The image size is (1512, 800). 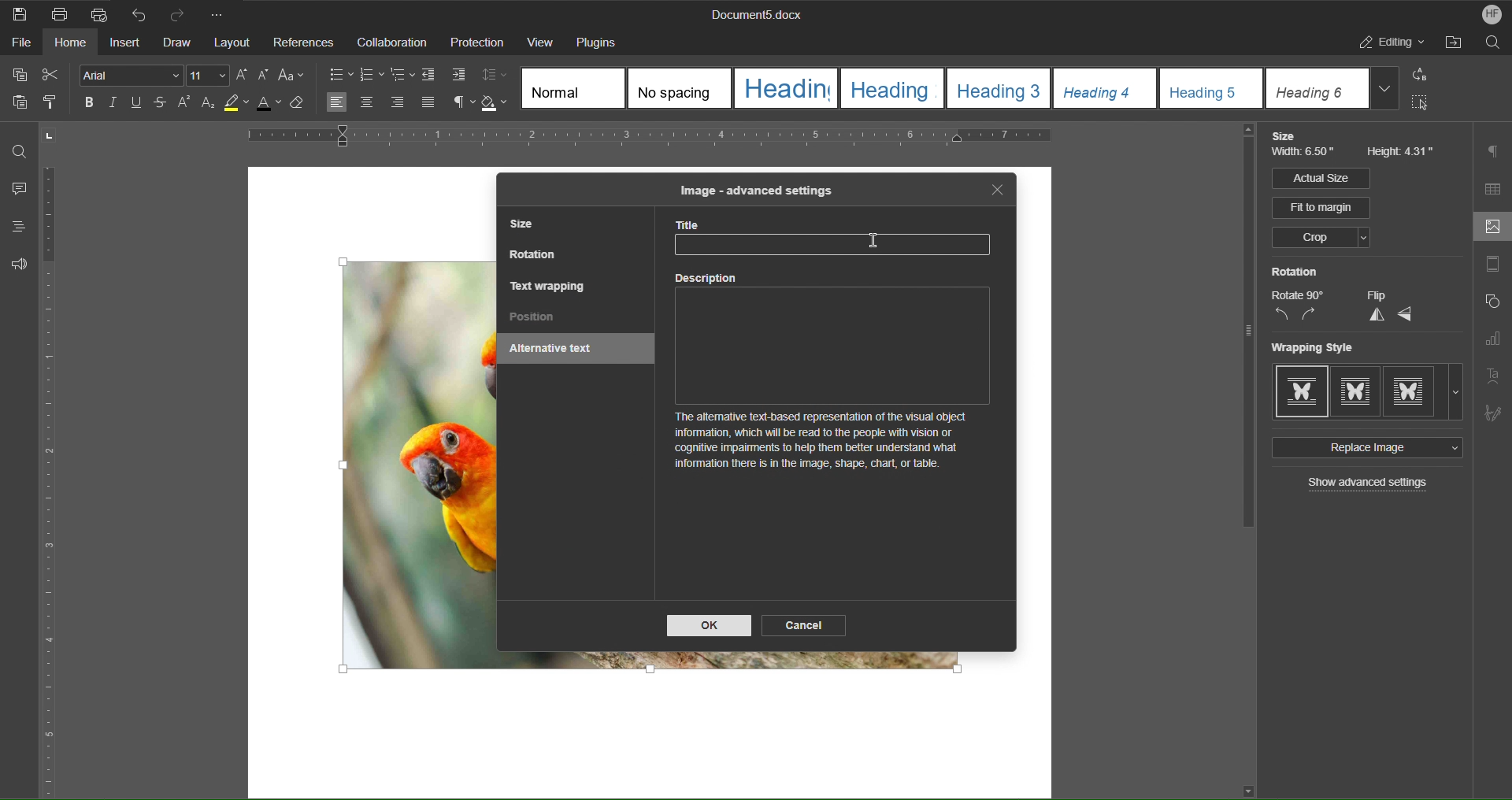 I want to click on Indents, so click(x=447, y=76).